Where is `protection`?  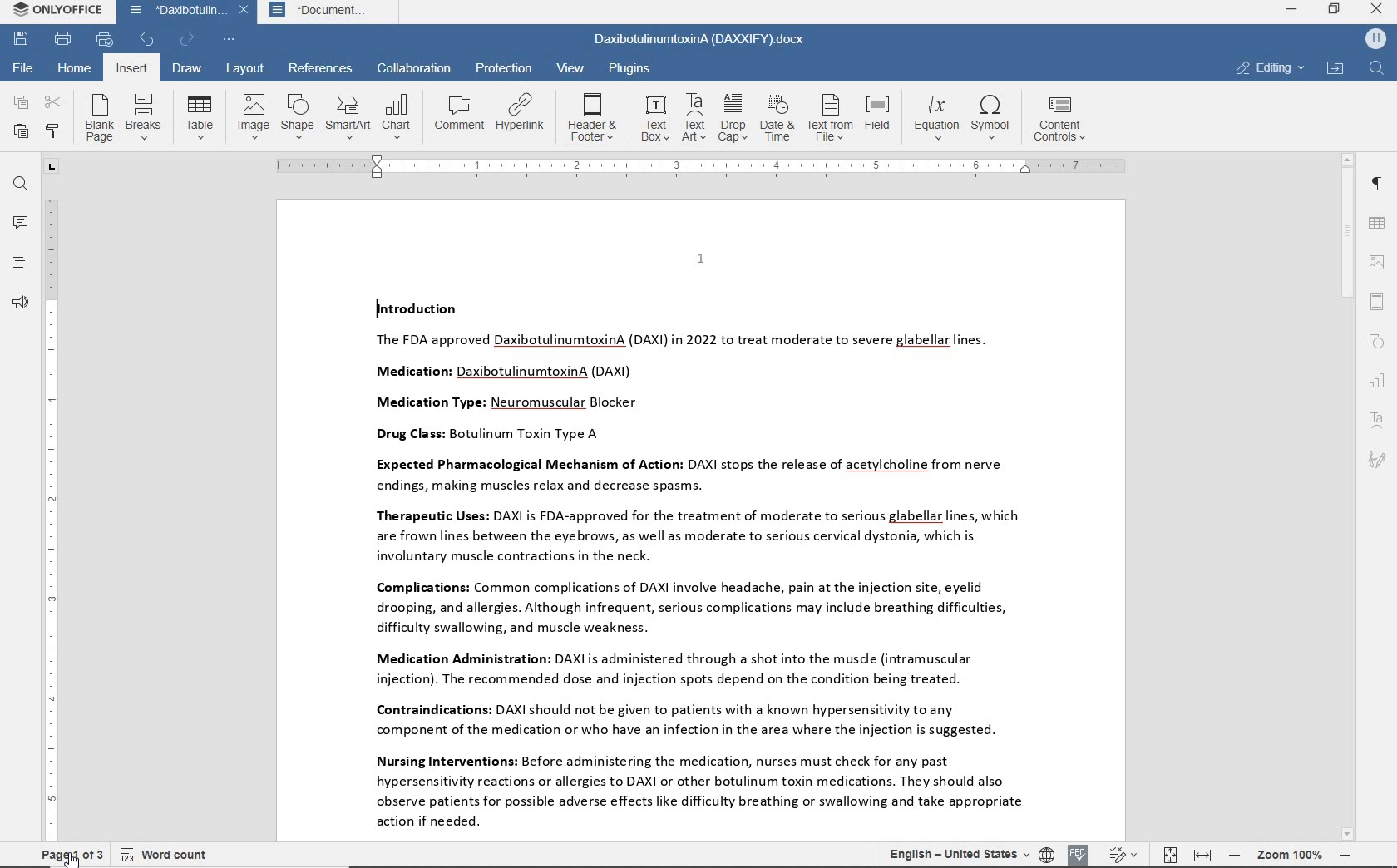
protection is located at coordinates (502, 68).